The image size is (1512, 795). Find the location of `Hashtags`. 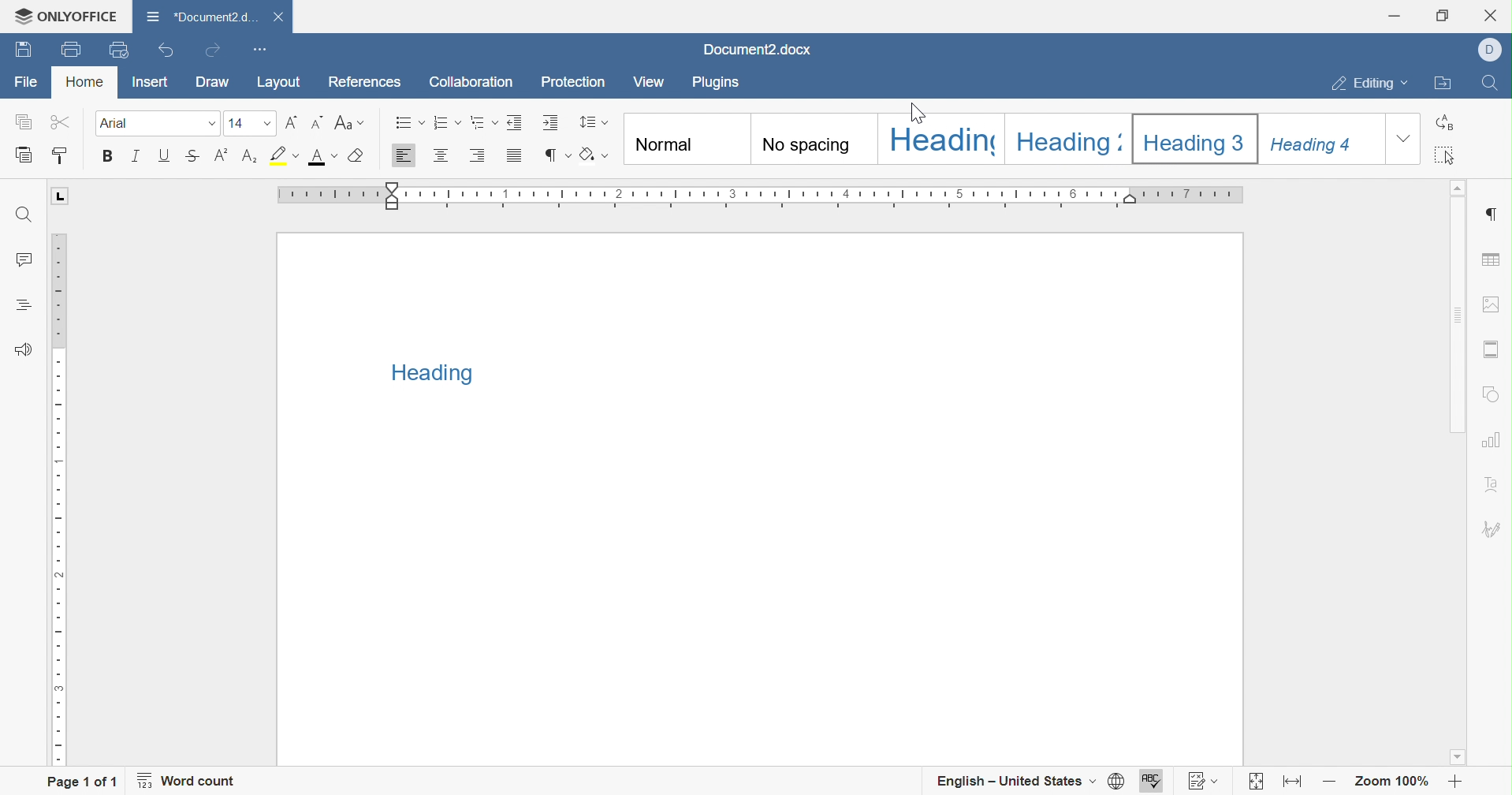

Hashtags is located at coordinates (17, 305).